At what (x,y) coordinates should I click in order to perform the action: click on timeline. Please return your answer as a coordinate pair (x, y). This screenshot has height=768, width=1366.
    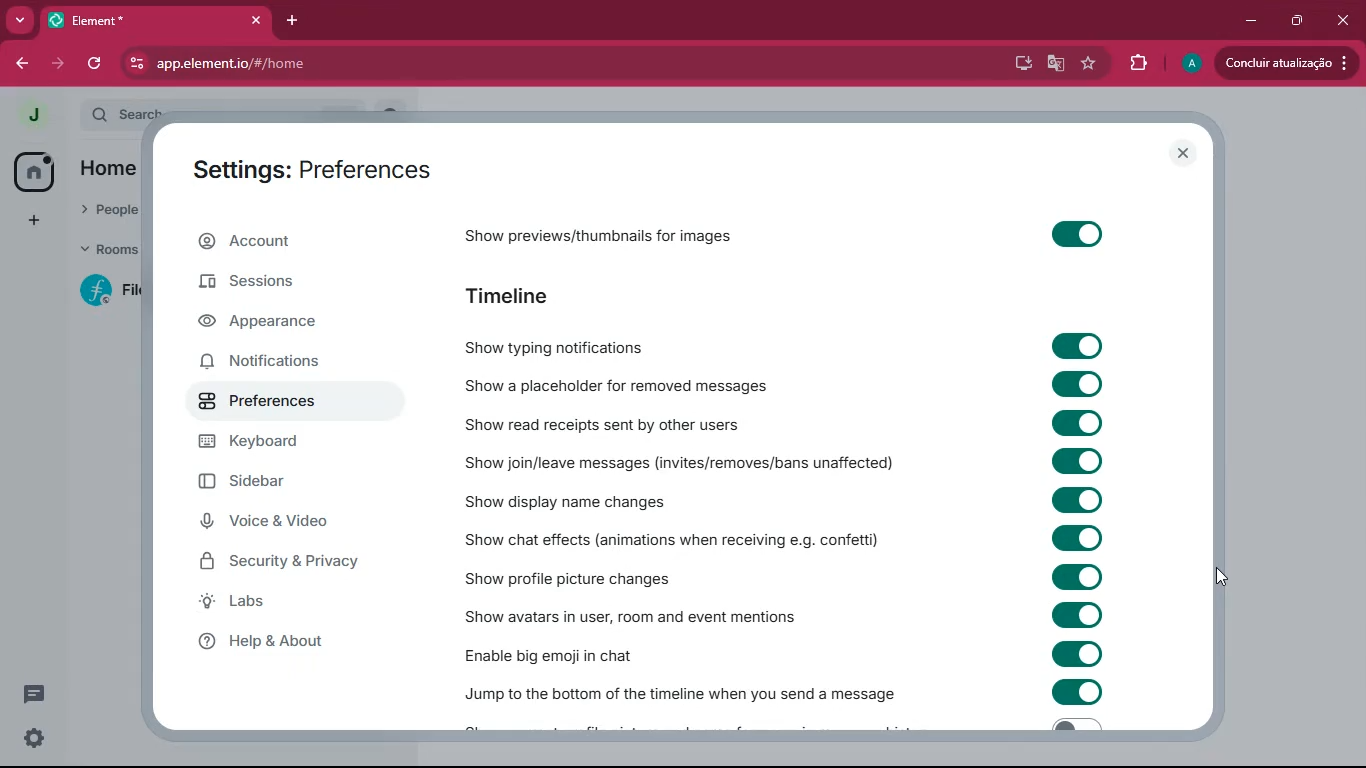
    Looking at the image, I should click on (511, 297).